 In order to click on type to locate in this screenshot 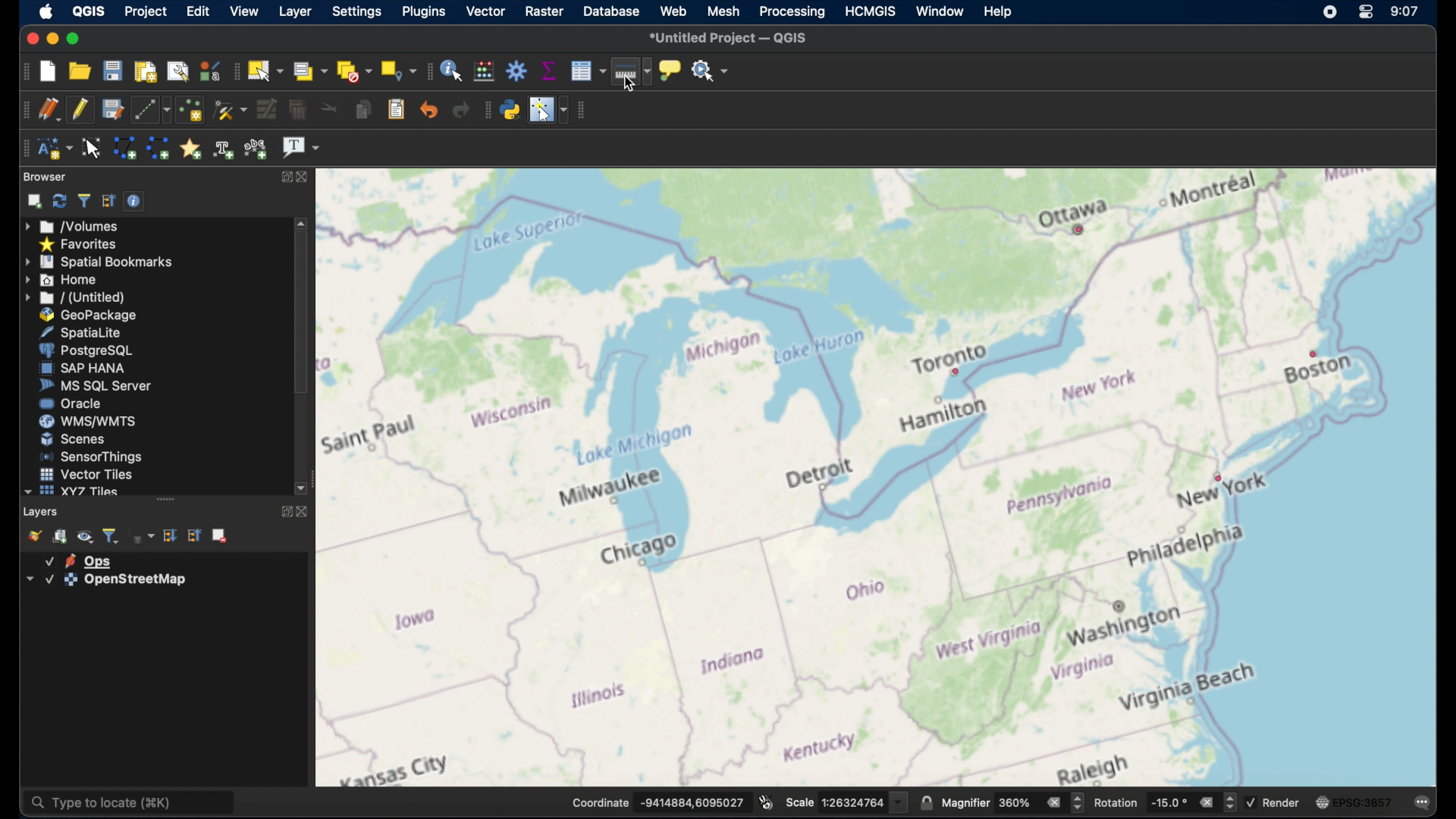, I will do `click(133, 801)`.